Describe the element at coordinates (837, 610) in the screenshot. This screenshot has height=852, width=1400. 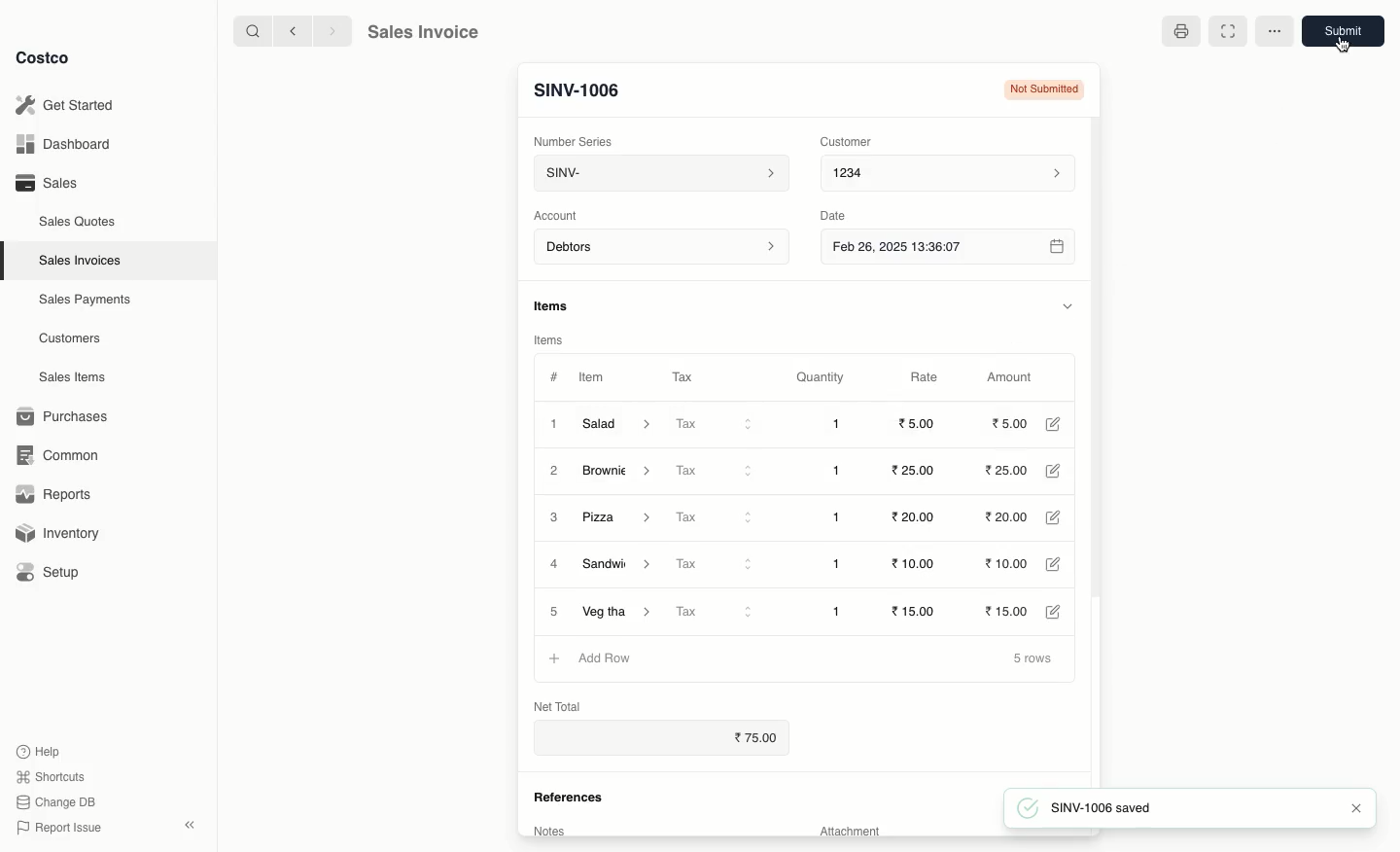
I see `1` at that location.